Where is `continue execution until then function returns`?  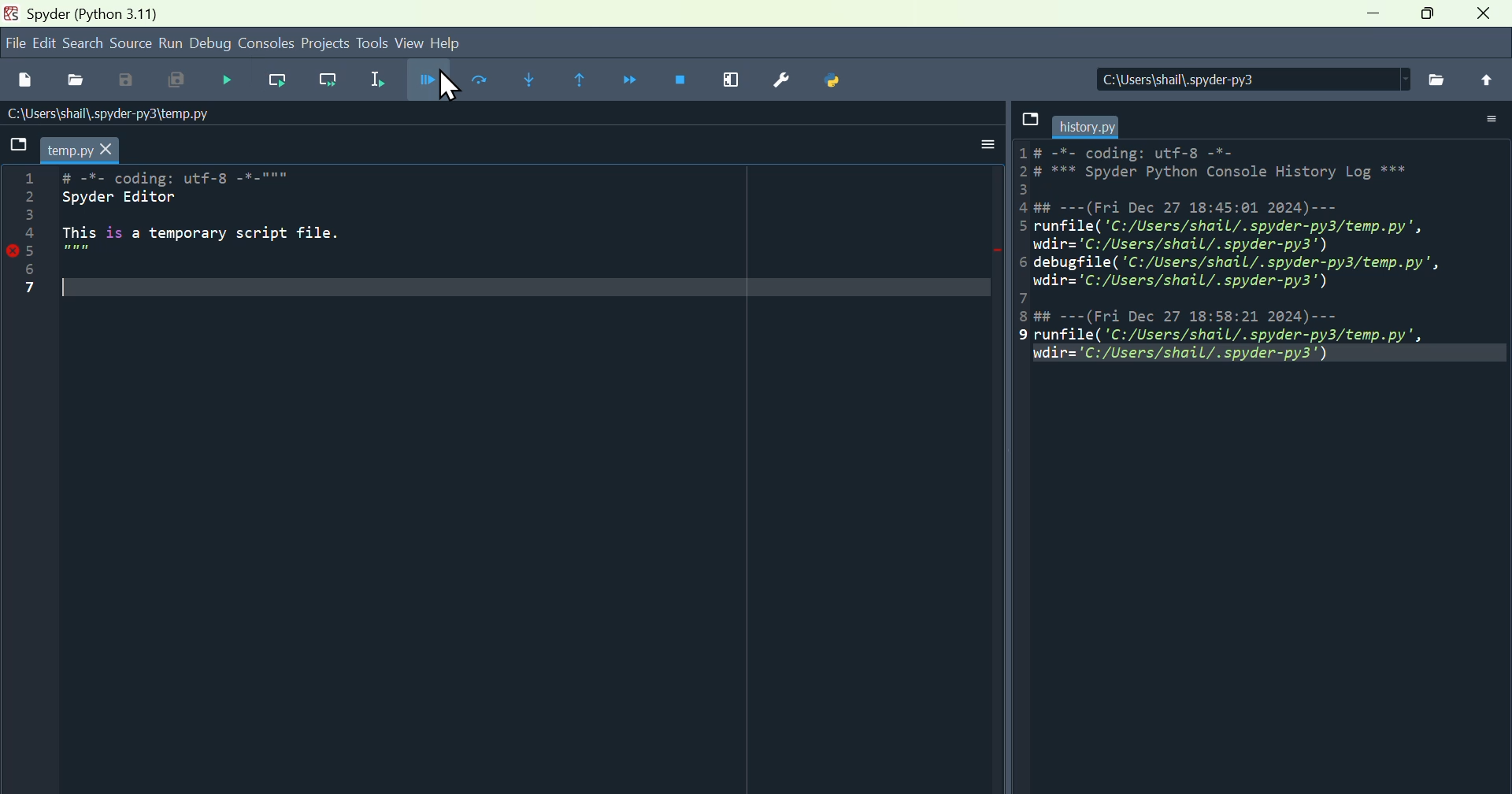 continue execution until then function returns is located at coordinates (586, 80).